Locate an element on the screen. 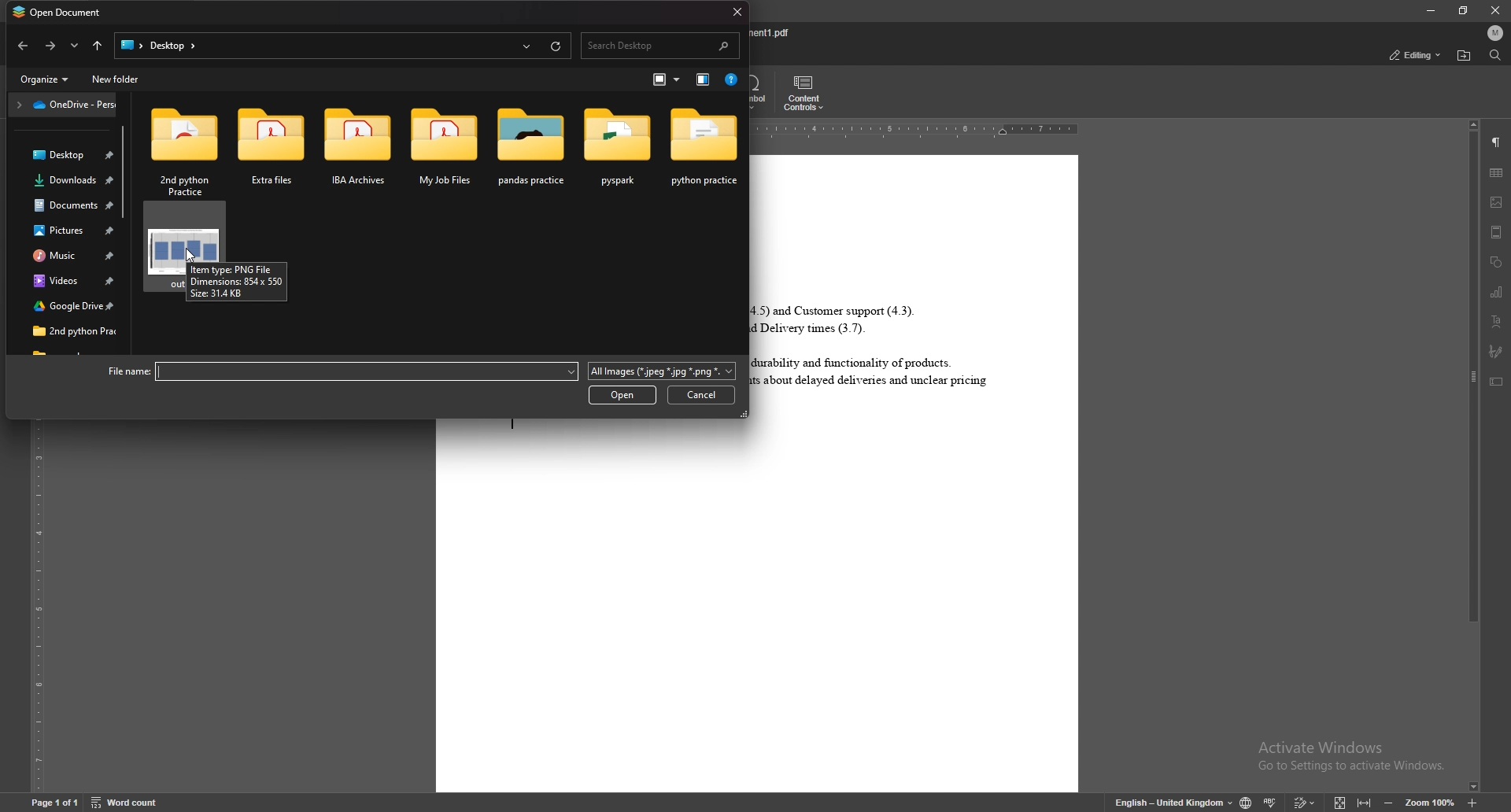 The height and width of the screenshot is (812, 1511). signature field is located at coordinates (1494, 351).